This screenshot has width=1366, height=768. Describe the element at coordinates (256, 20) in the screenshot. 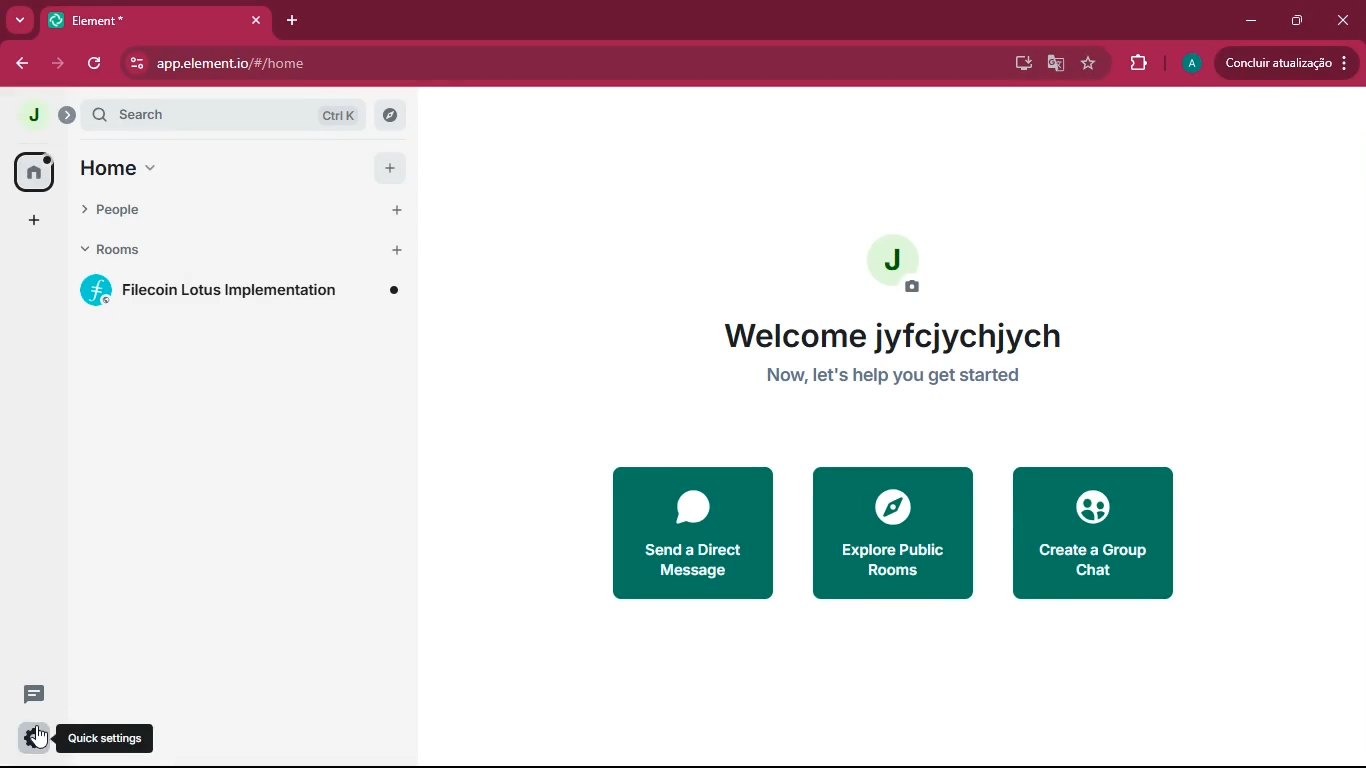

I see `Close` at that location.